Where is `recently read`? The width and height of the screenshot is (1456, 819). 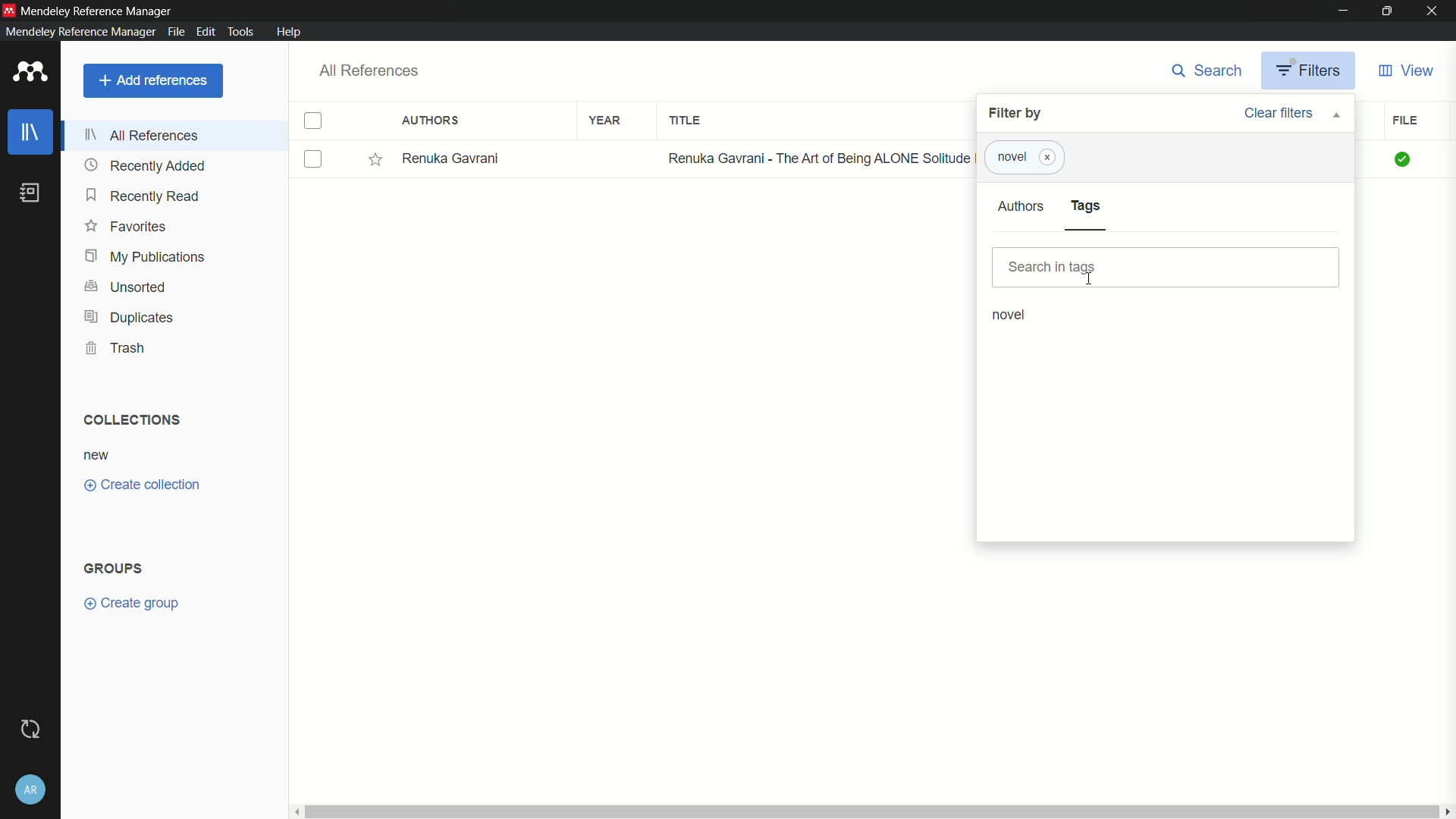
recently read is located at coordinates (145, 196).